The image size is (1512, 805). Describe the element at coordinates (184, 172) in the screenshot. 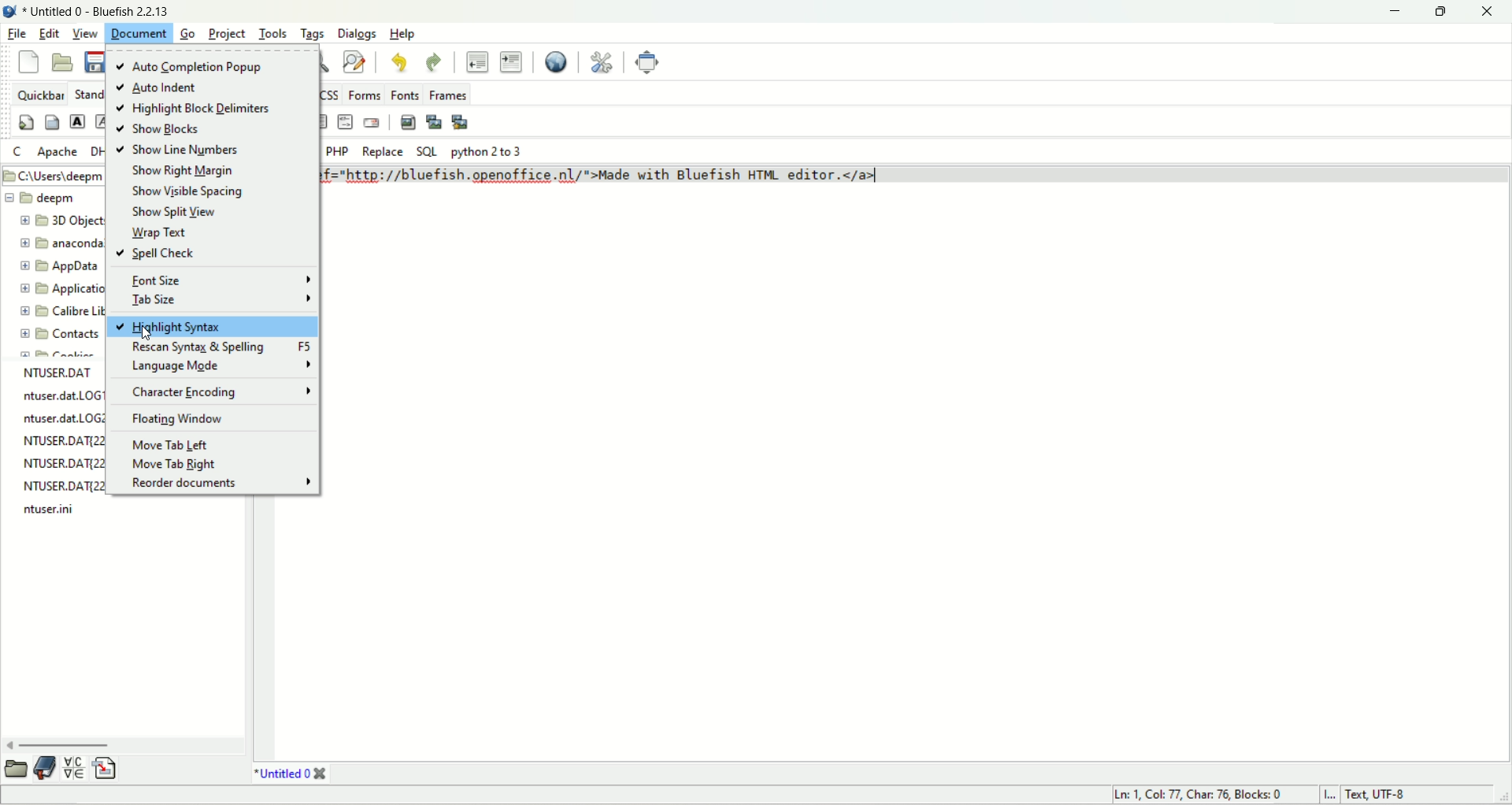

I see `show right margin` at that location.